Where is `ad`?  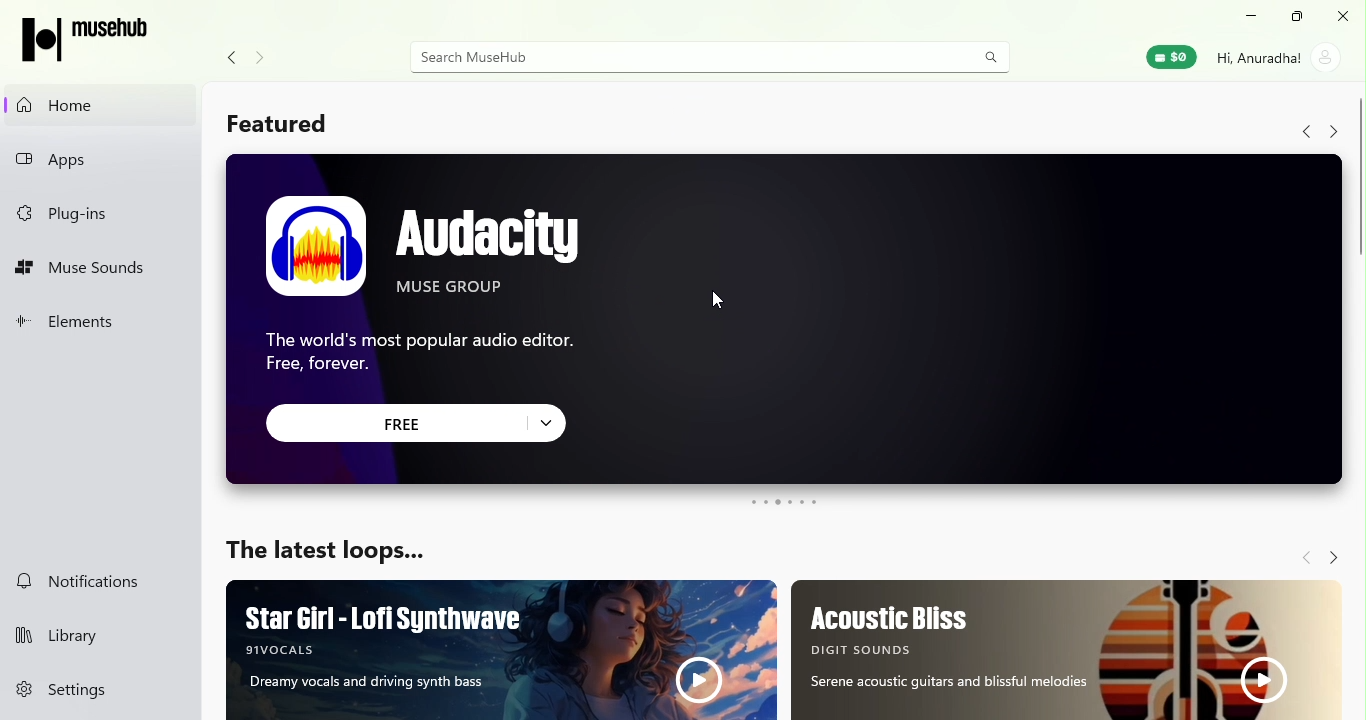
ad is located at coordinates (503, 647).